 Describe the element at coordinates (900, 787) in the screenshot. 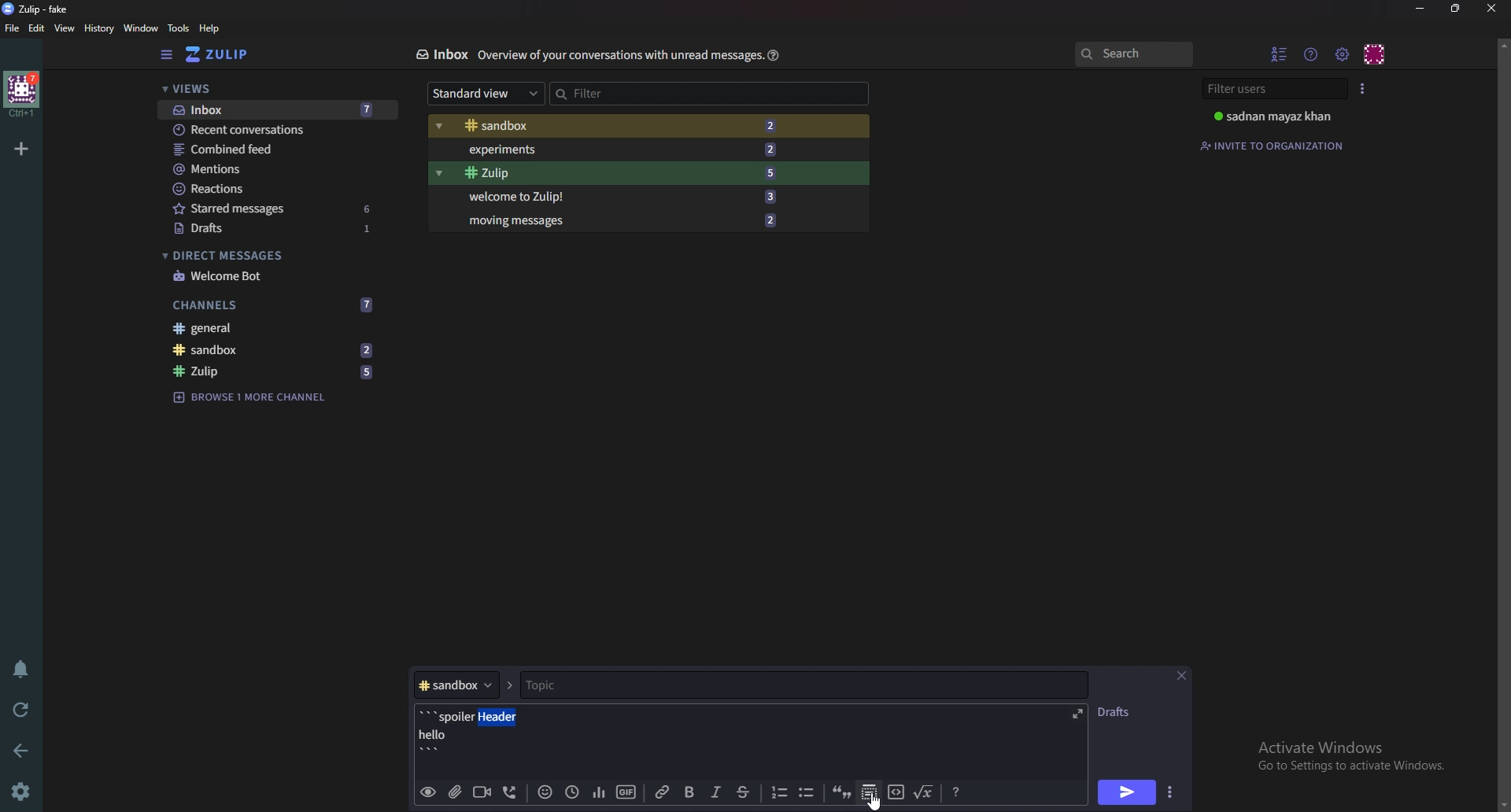

I see `code` at that location.